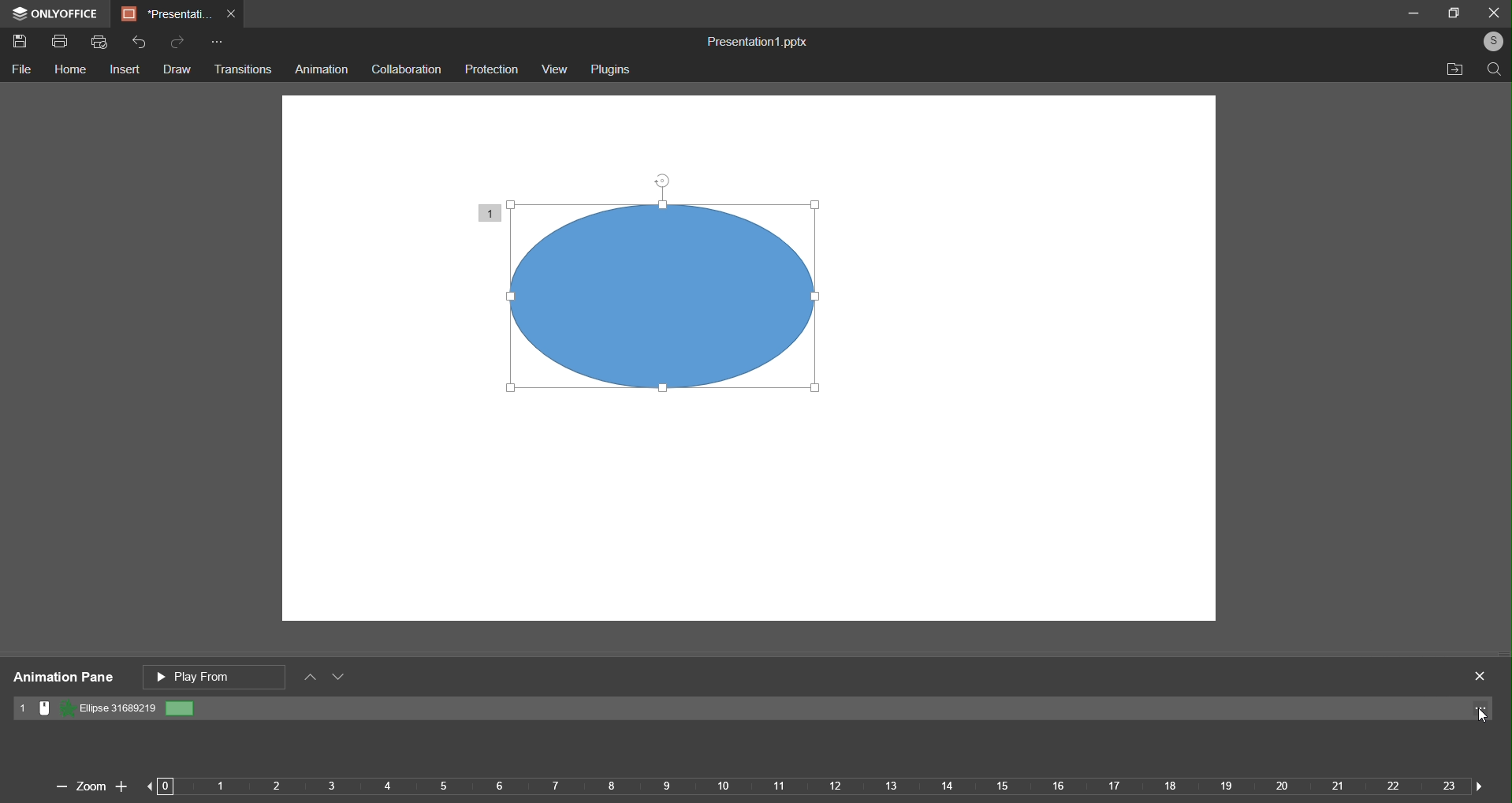 This screenshot has height=803, width=1512. What do you see at coordinates (234, 15) in the screenshot?
I see `Close Tab` at bounding box center [234, 15].